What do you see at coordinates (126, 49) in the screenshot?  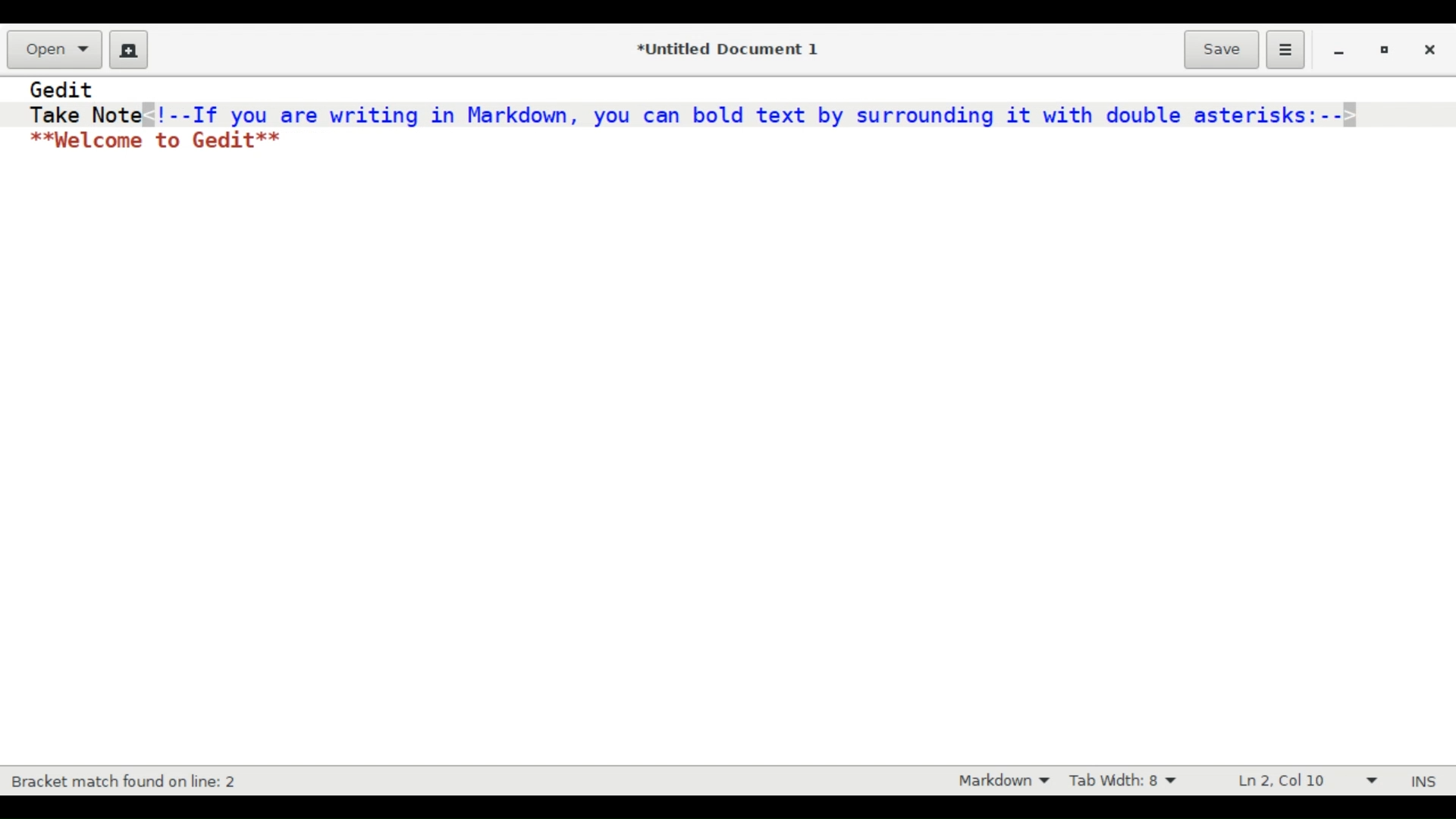 I see `Create a new File` at bounding box center [126, 49].